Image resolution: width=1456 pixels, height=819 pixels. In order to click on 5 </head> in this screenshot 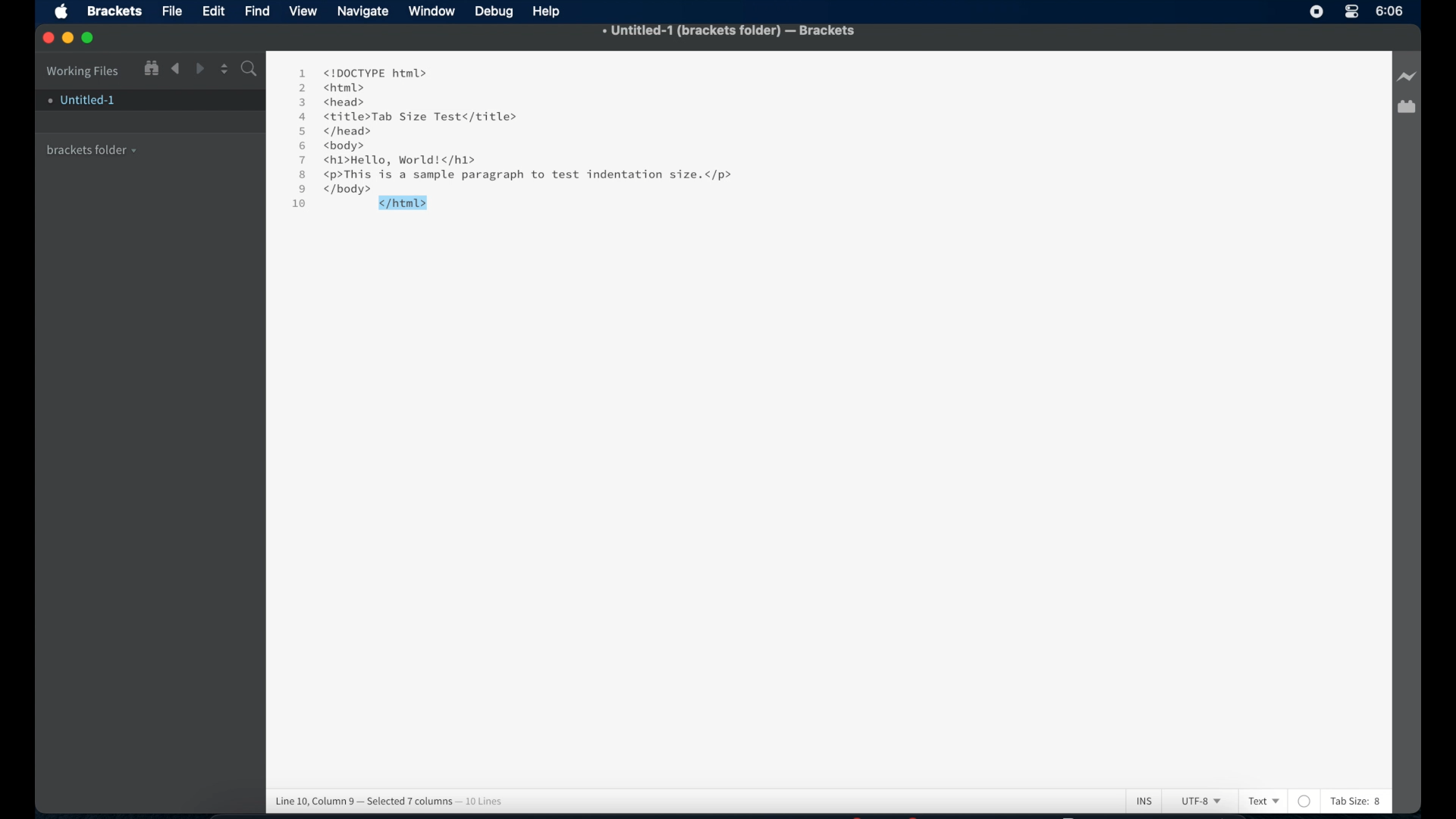, I will do `click(334, 132)`.